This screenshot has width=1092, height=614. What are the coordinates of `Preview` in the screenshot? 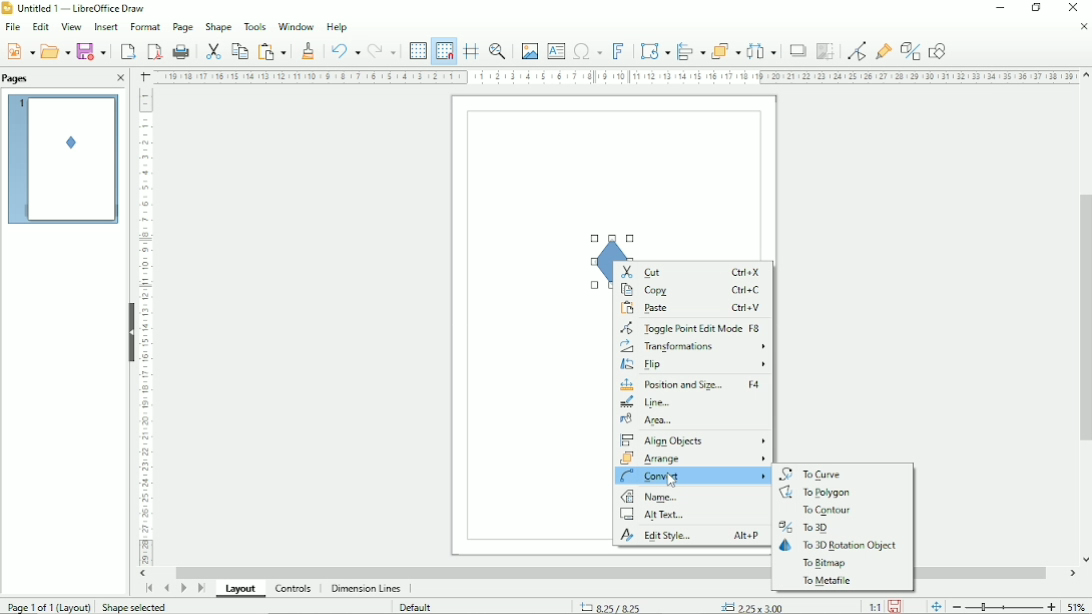 It's located at (64, 160).